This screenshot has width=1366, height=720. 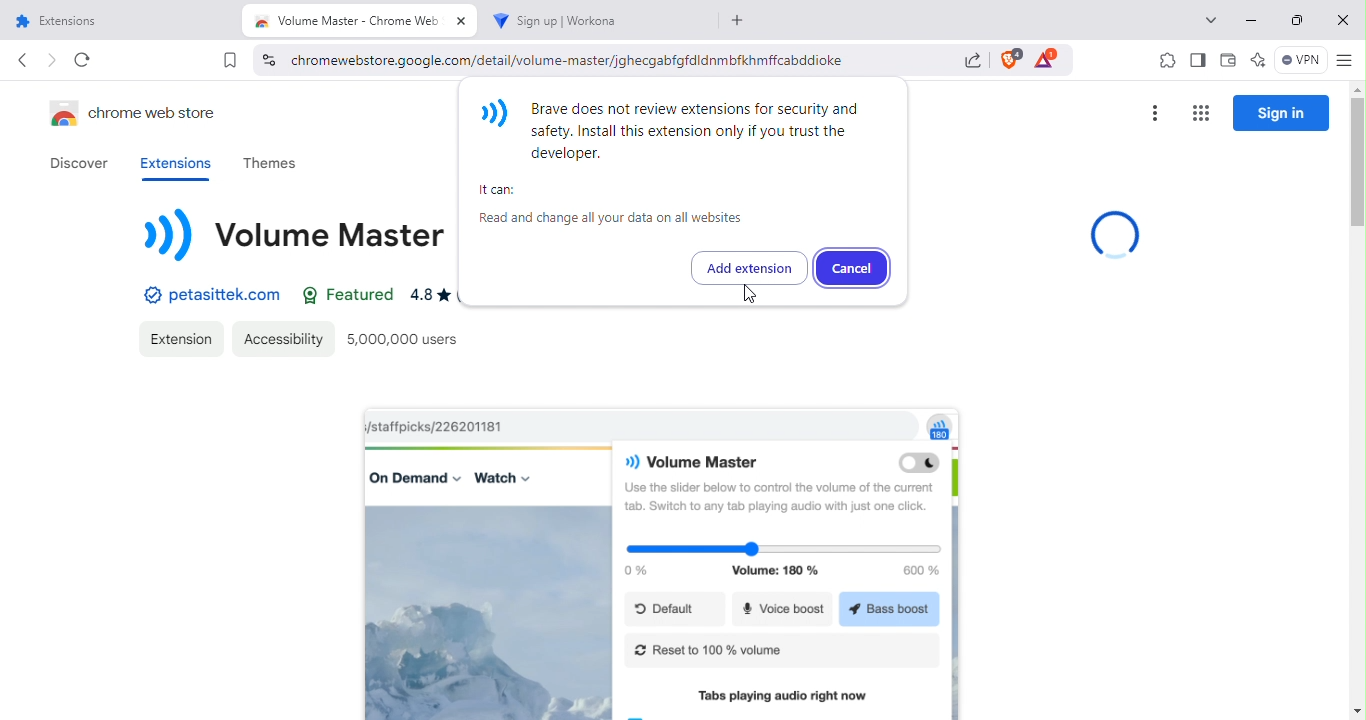 What do you see at coordinates (209, 297) in the screenshot?
I see `website link ` at bounding box center [209, 297].